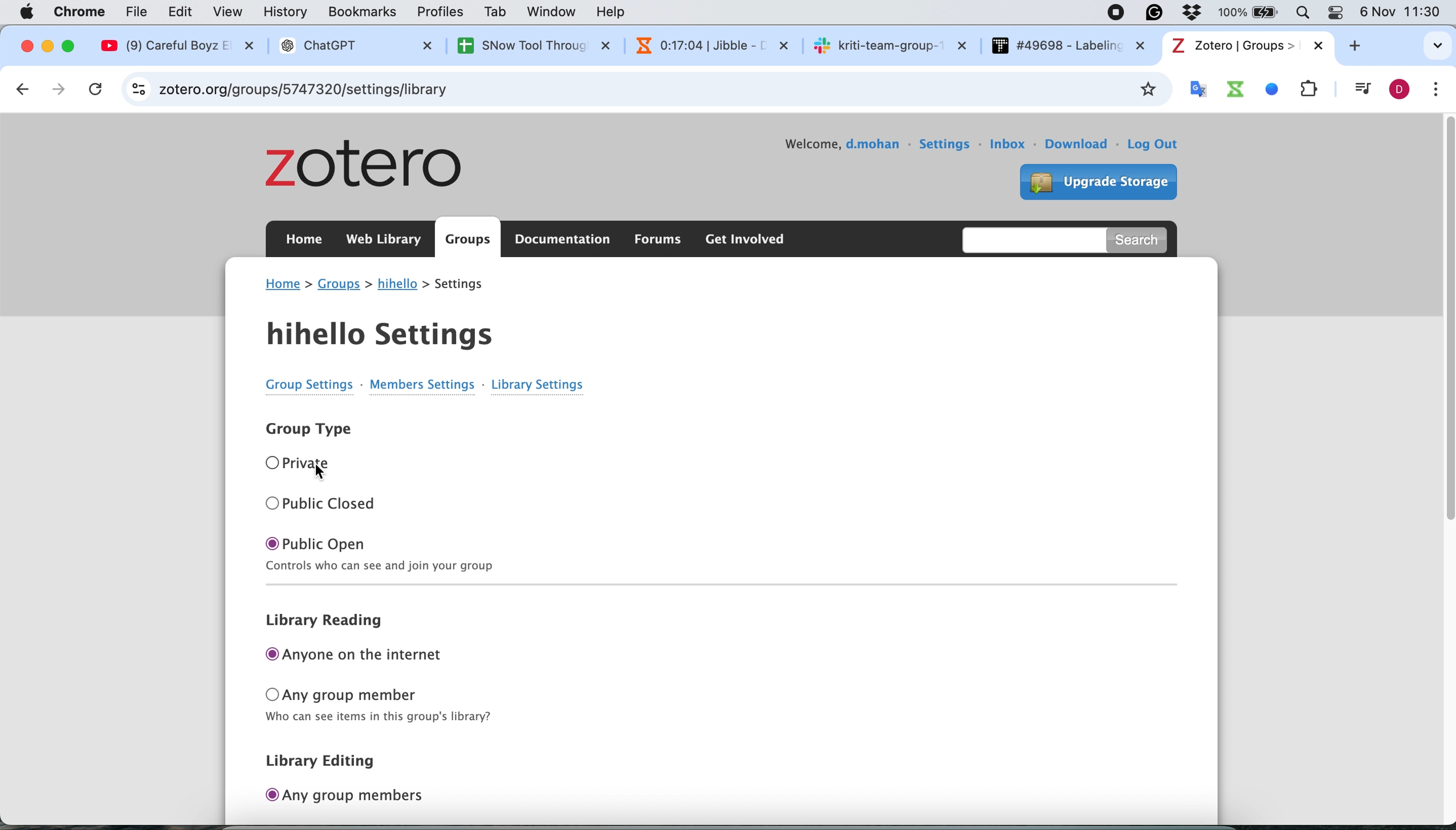  Describe the element at coordinates (497, 12) in the screenshot. I see `tab` at that location.